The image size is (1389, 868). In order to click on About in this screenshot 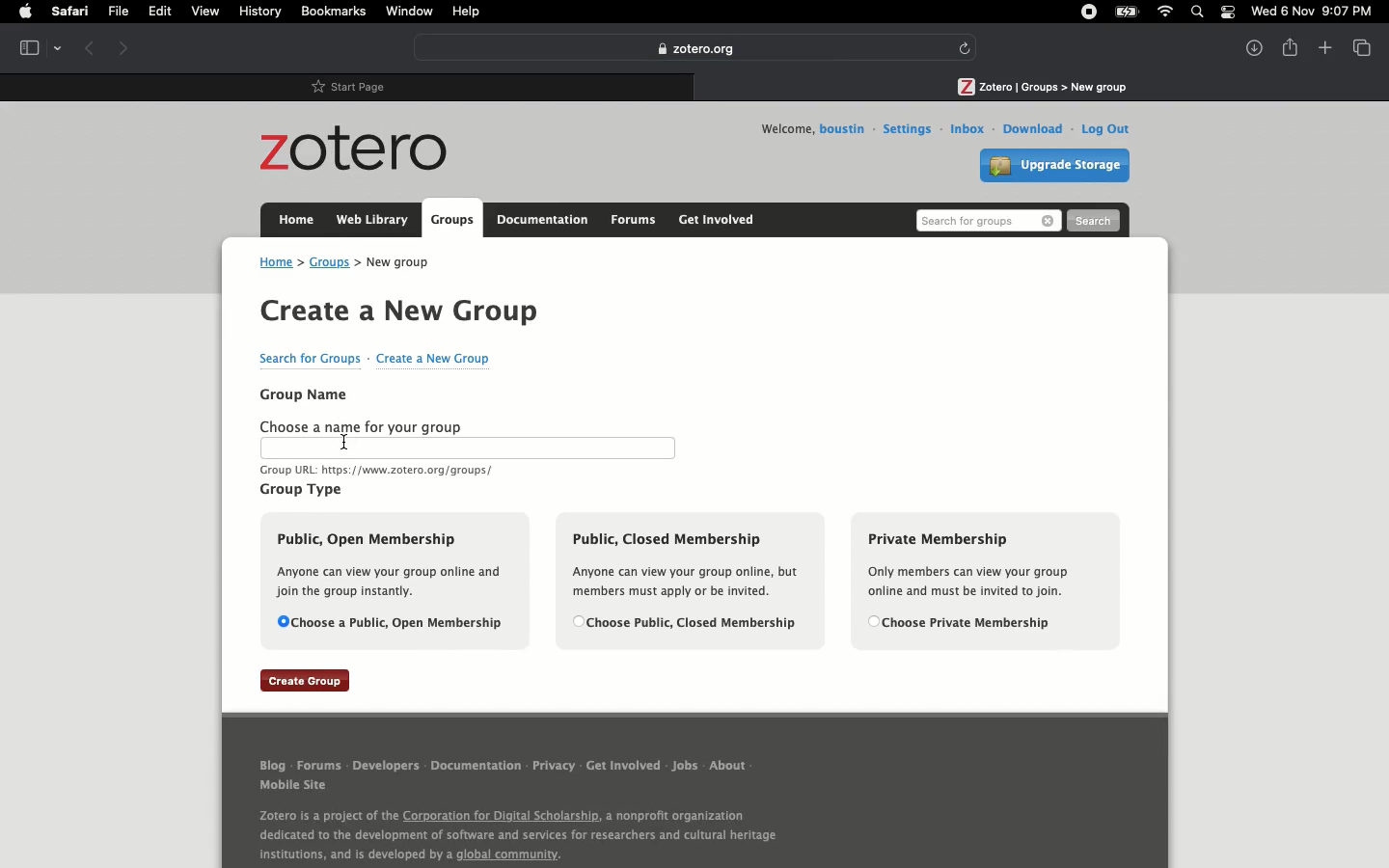, I will do `click(729, 764)`.